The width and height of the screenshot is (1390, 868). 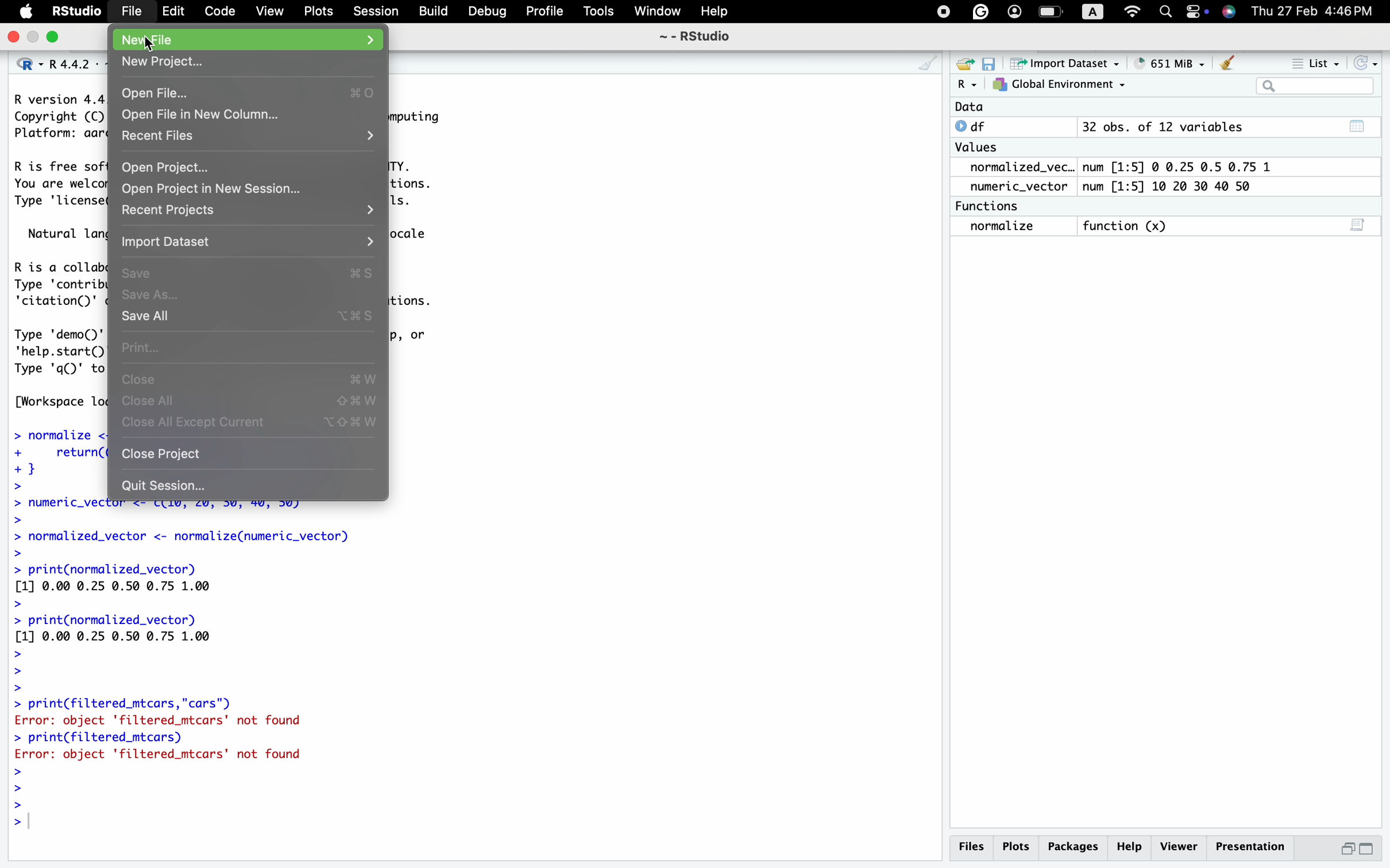 I want to click on cursor, so click(x=156, y=44).